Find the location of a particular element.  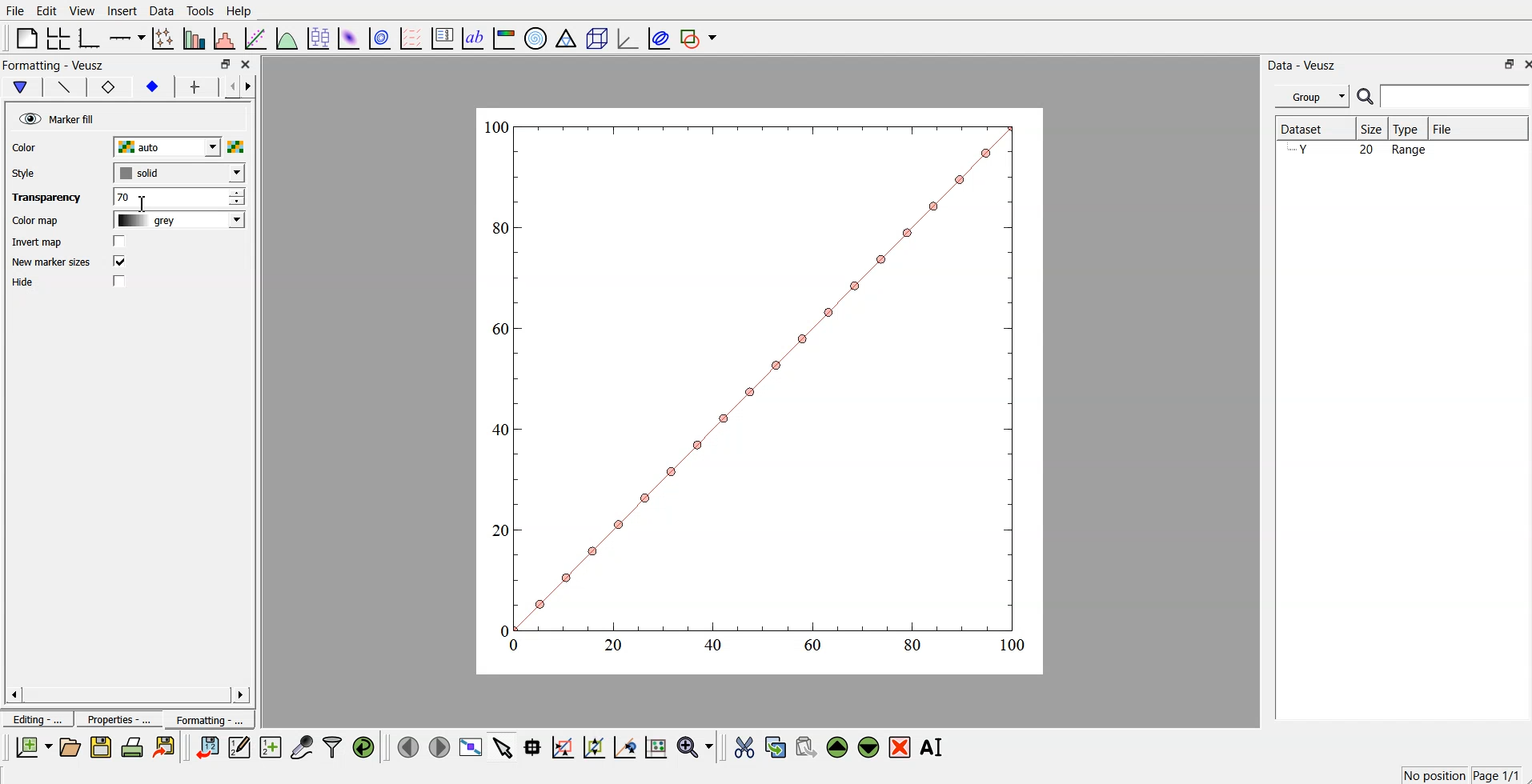

auto is located at coordinates (177, 147).